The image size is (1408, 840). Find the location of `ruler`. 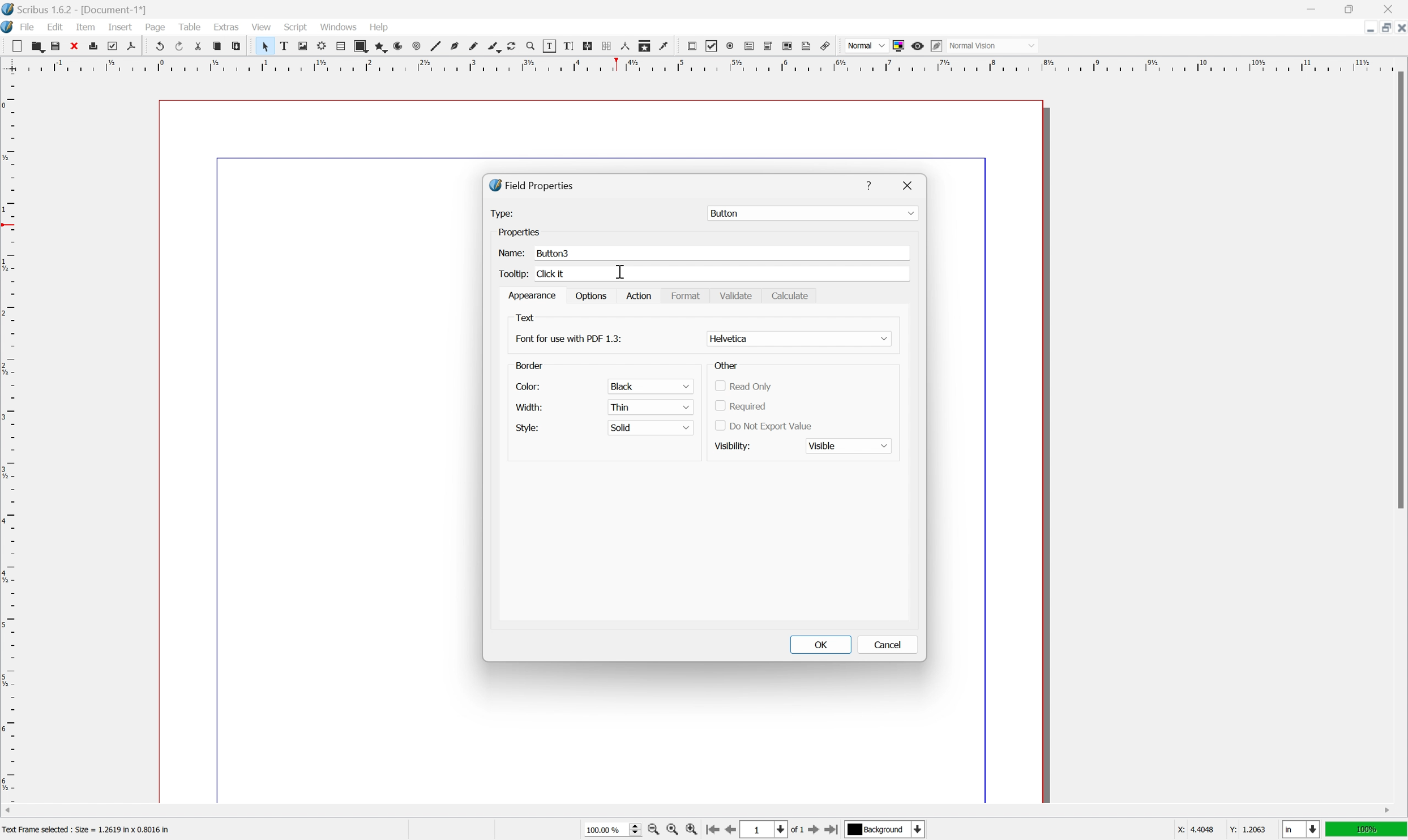

ruler is located at coordinates (9, 437).